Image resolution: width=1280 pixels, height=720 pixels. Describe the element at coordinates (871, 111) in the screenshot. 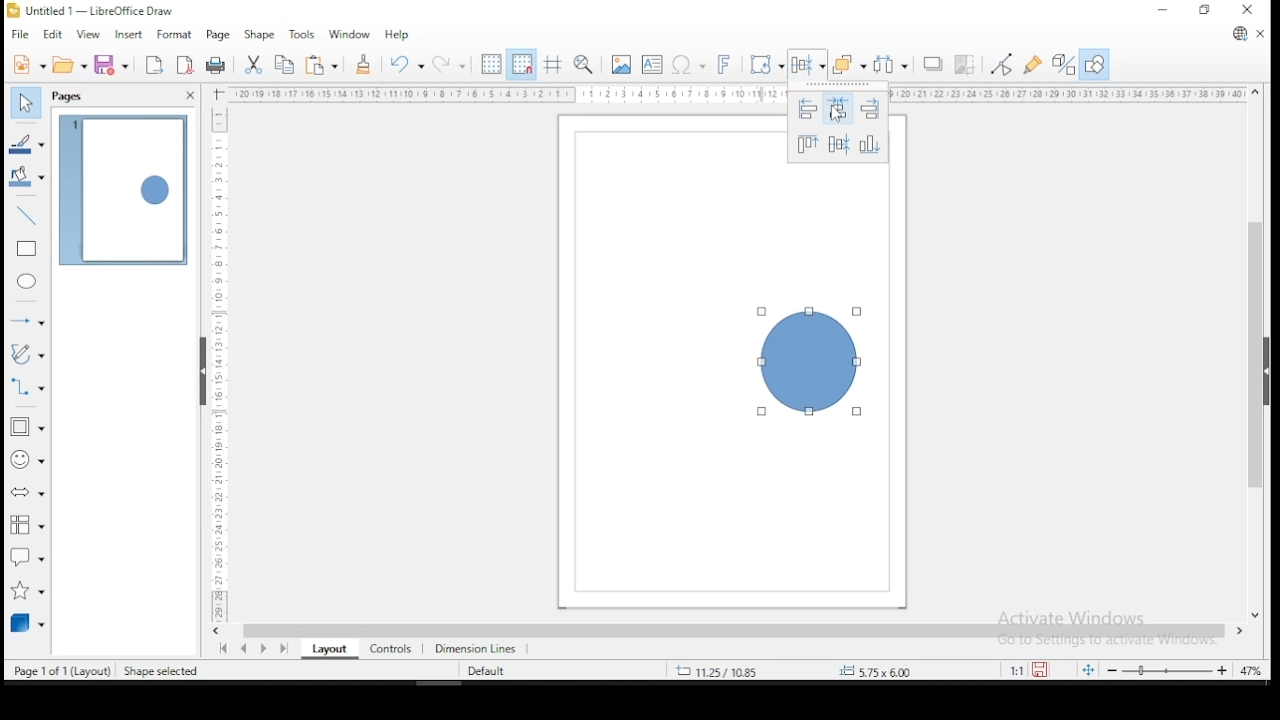

I see `right` at that location.